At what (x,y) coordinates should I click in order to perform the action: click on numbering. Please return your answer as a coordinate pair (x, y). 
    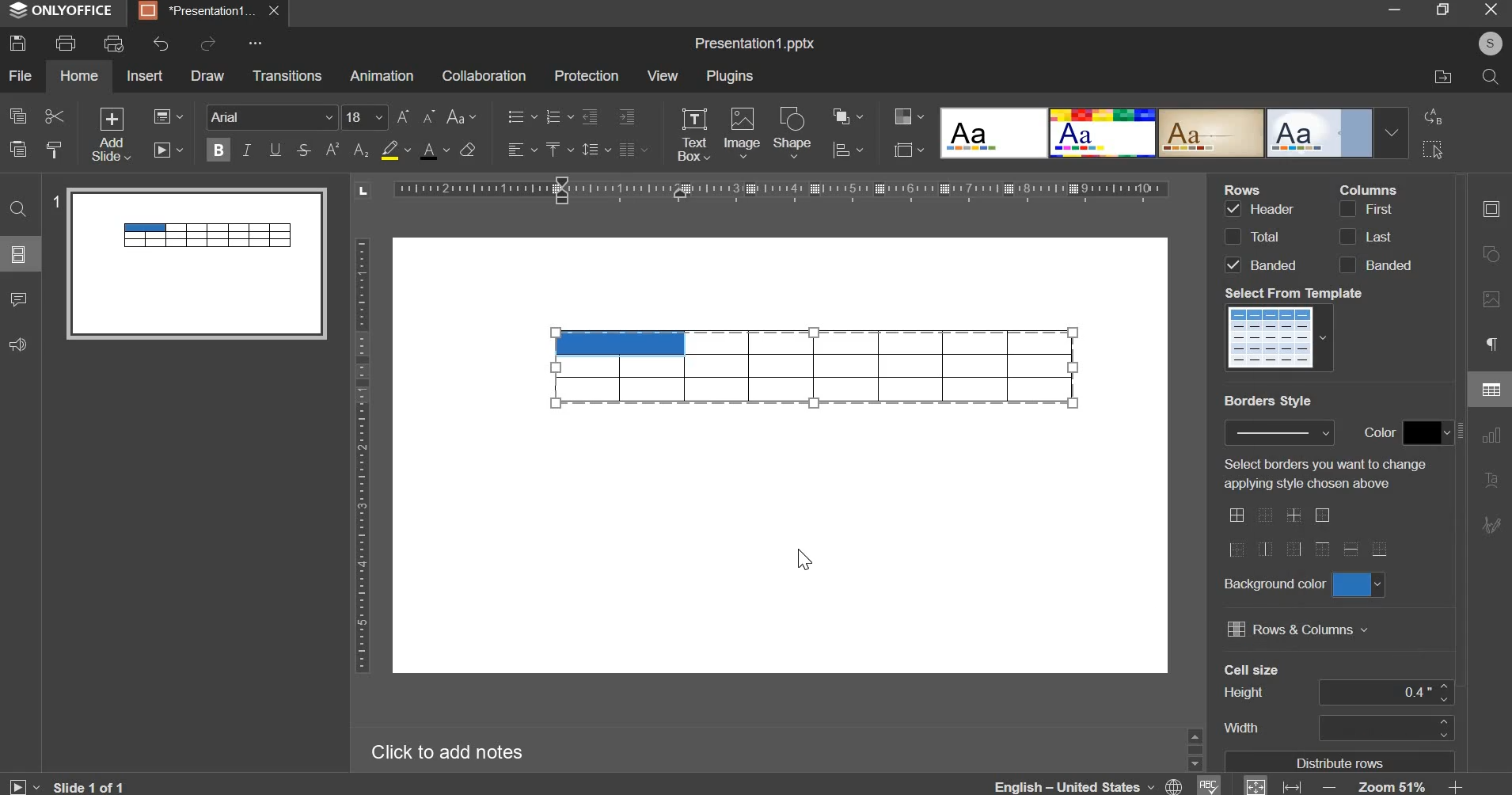
    Looking at the image, I should click on (557, 117).